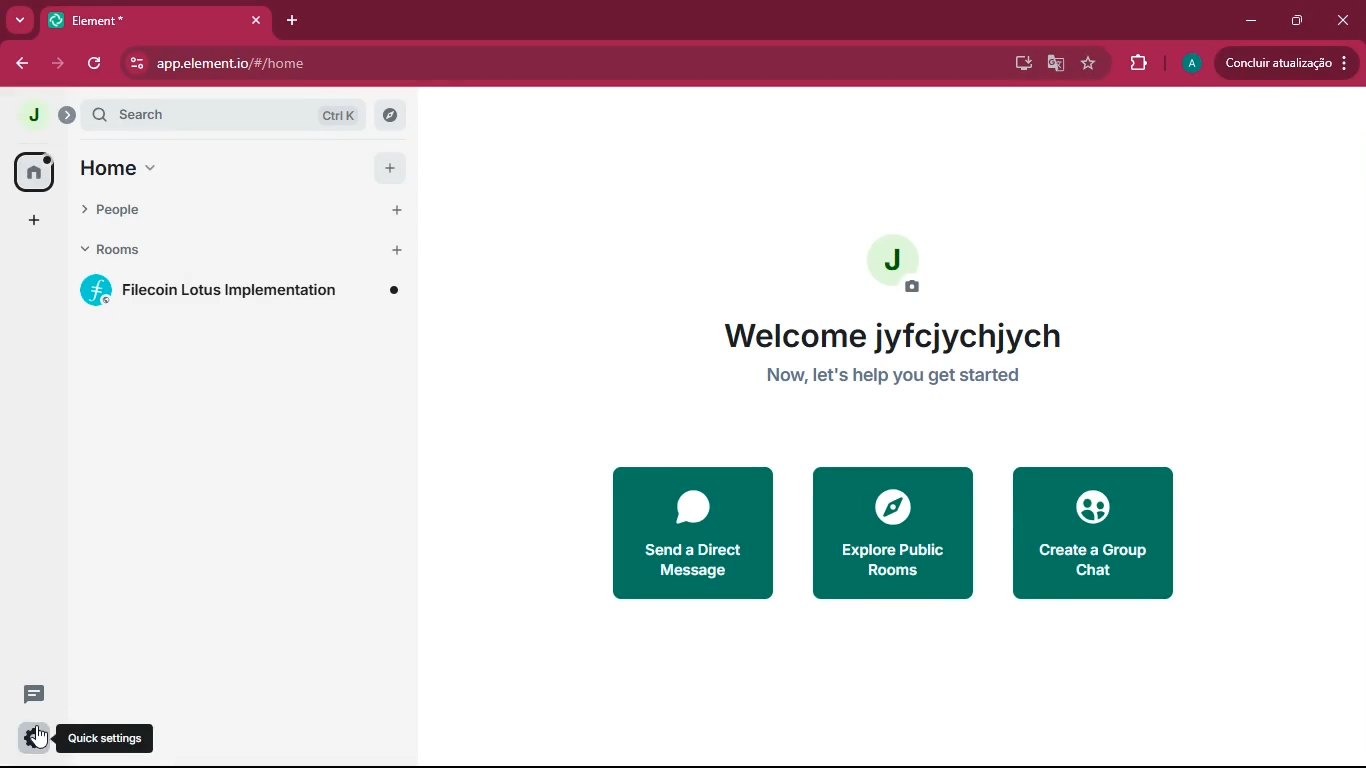  What do you see at coordinates (1297, 22) in the screenshot?
I see `maximize` at bounding box center [1297, 22].